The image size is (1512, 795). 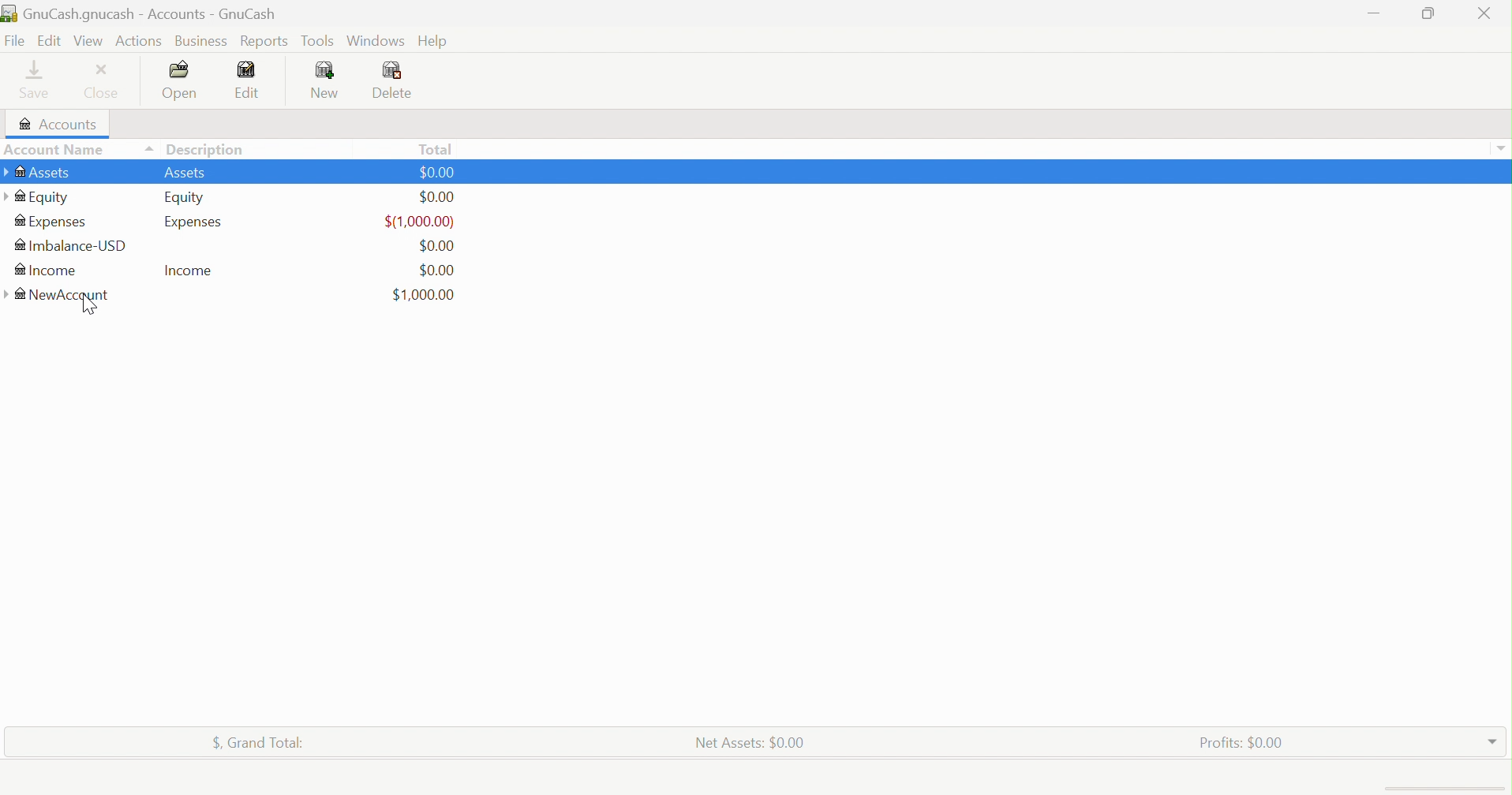 What do you see at coordinates (425, 293) in the screenshot?
I see `$1,000 dollar` at bounding box center [425, 293].